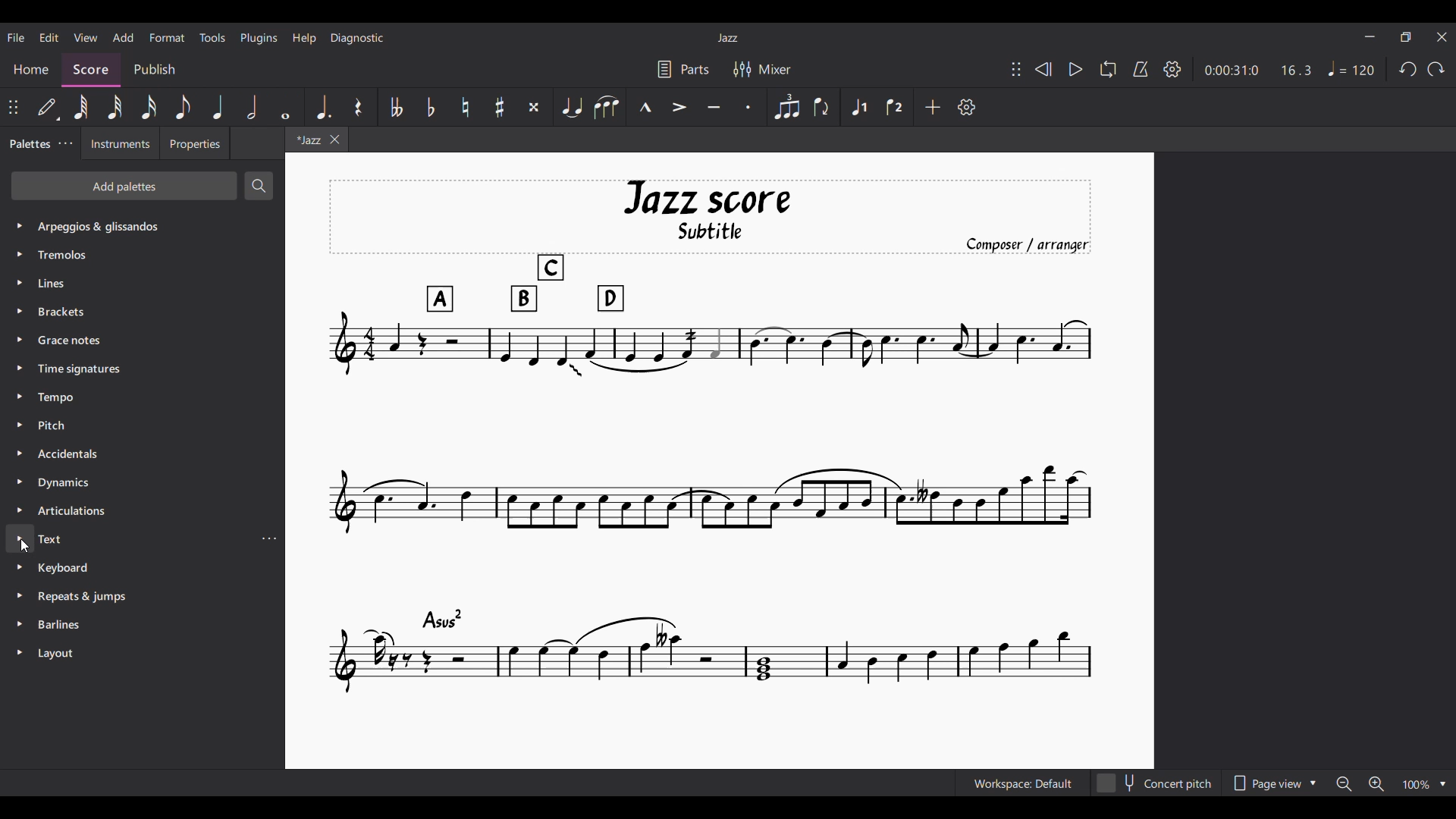 The width and height of the screenshot is (1456, 819). I want to click on Edit menu, so click(49, 38).